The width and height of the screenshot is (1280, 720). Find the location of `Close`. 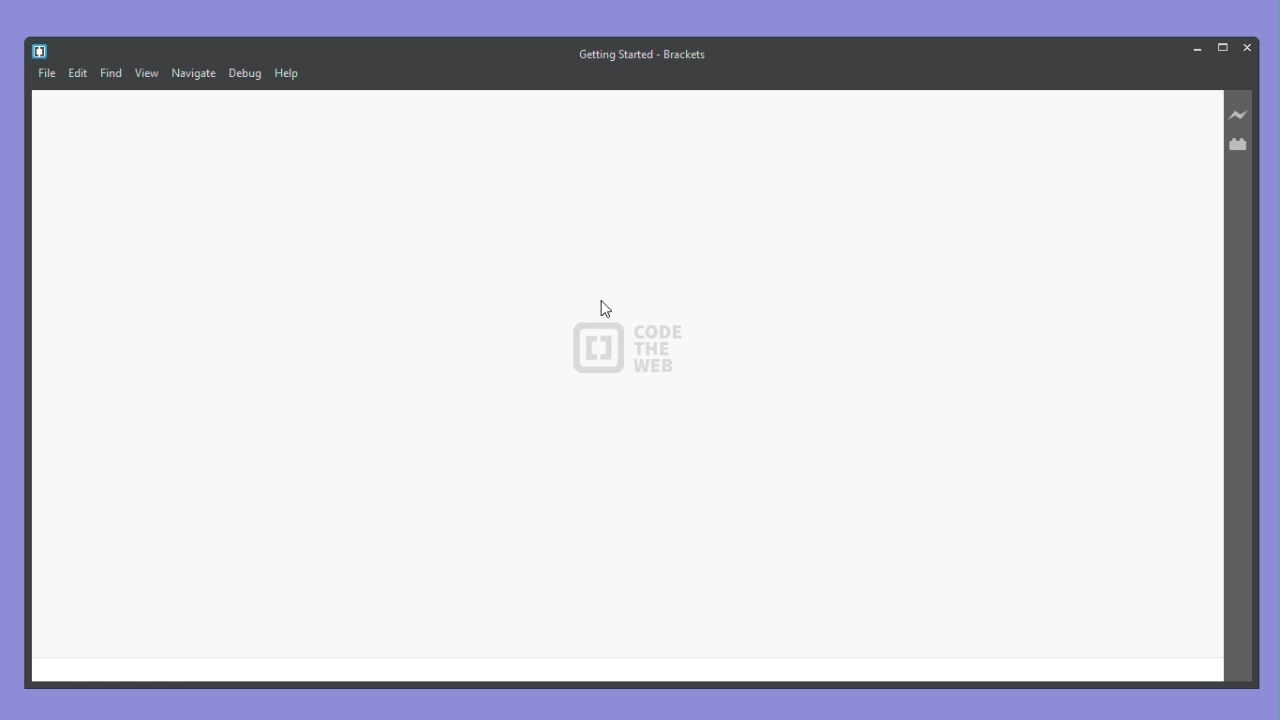

Close is located at coordinates (1247, 46).